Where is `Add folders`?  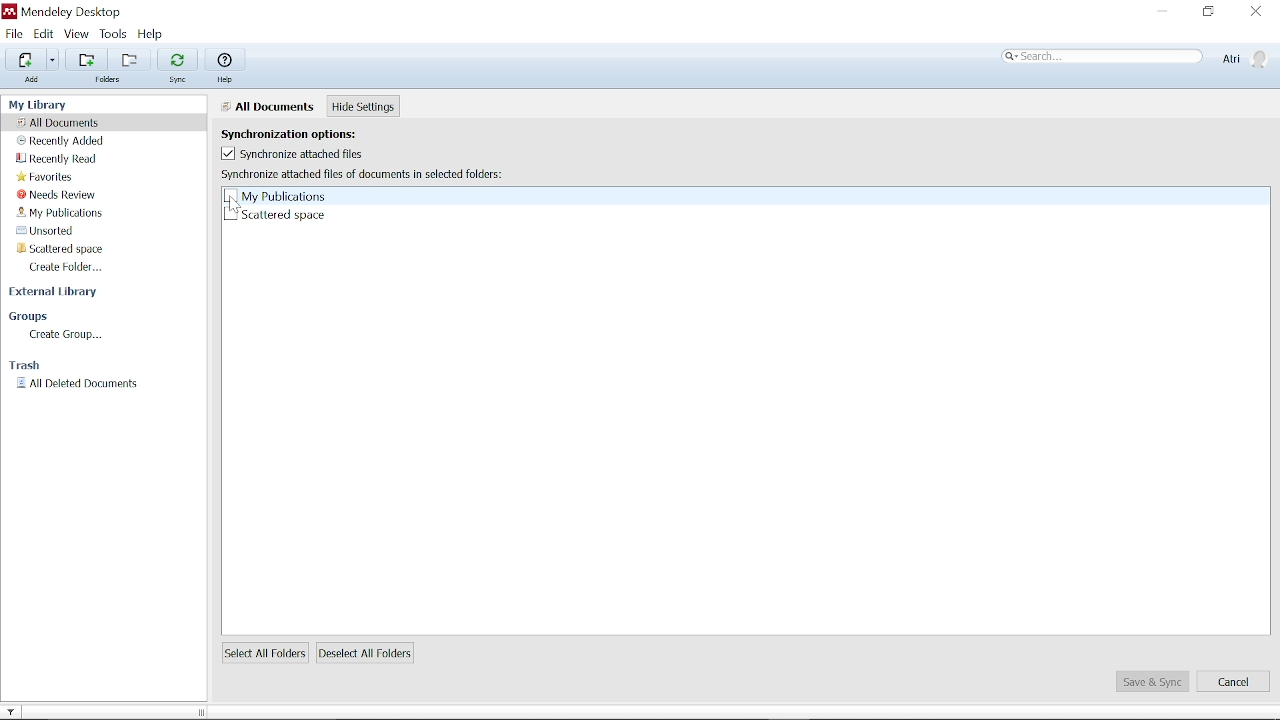 Add folders is located at coordinates (83, 60).